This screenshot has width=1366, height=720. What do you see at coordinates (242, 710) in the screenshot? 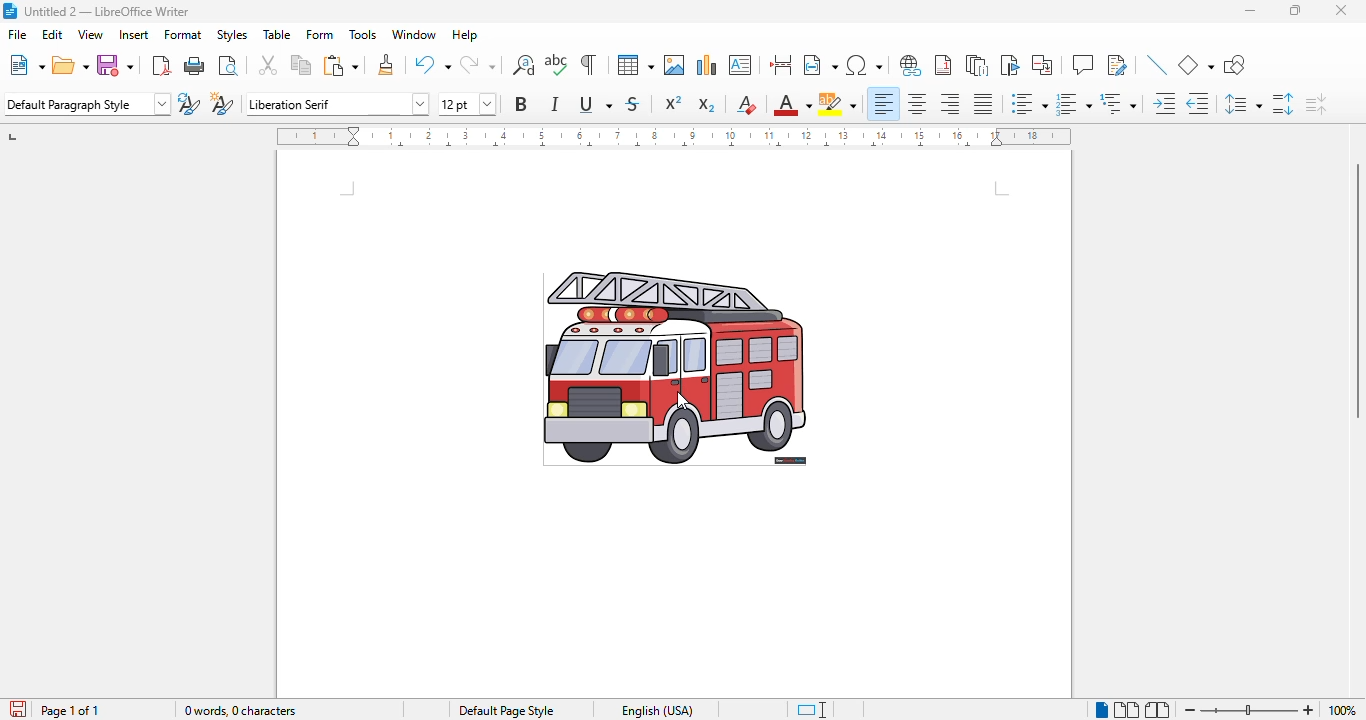
I see `word and character count` at bounding box center [242, 710].